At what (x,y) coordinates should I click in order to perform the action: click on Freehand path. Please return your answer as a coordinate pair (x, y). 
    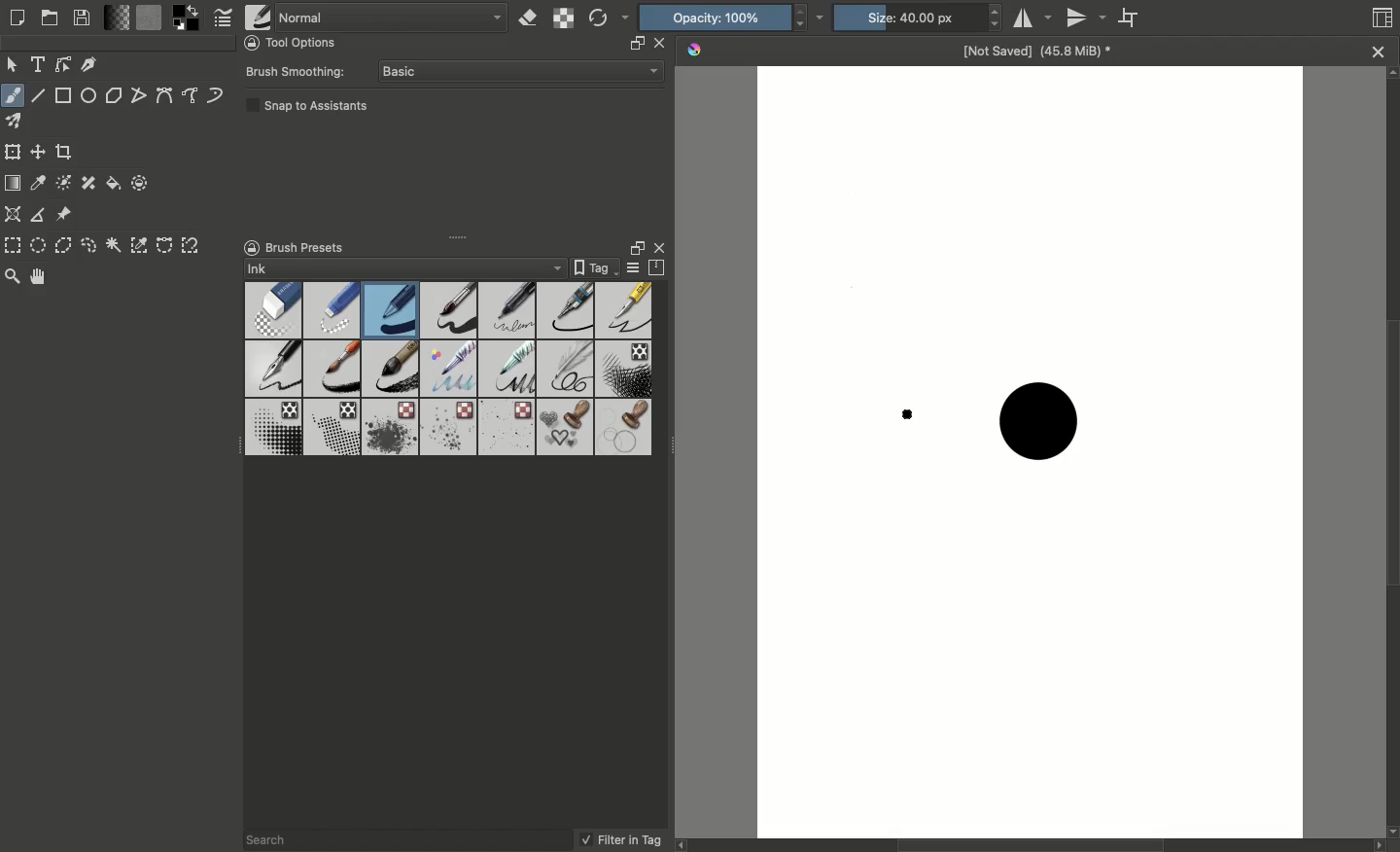
    Looking at the image, I should click on (192, 96).